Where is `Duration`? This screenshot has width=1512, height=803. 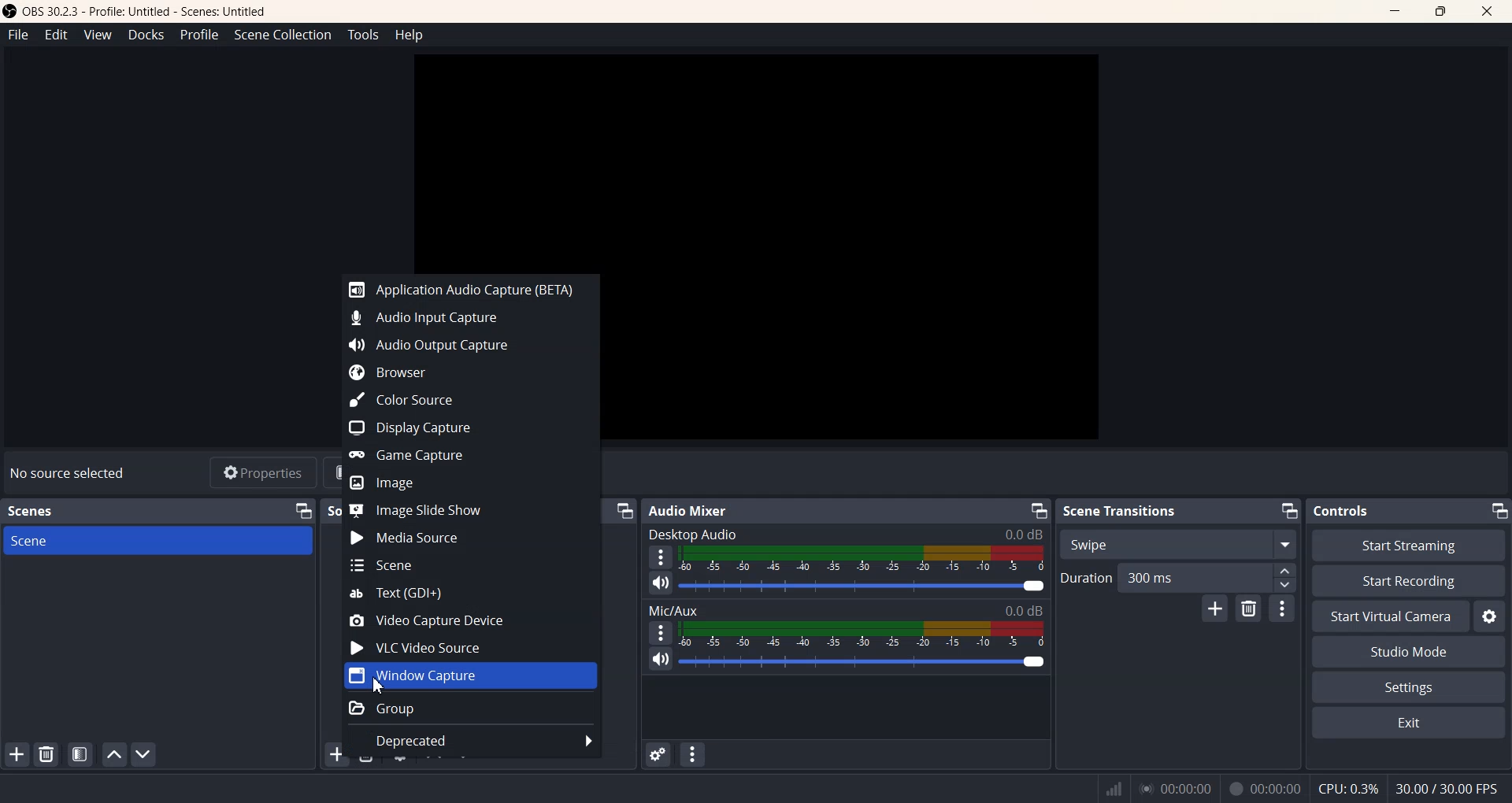 Duration is located at coordinates (1087, 576).